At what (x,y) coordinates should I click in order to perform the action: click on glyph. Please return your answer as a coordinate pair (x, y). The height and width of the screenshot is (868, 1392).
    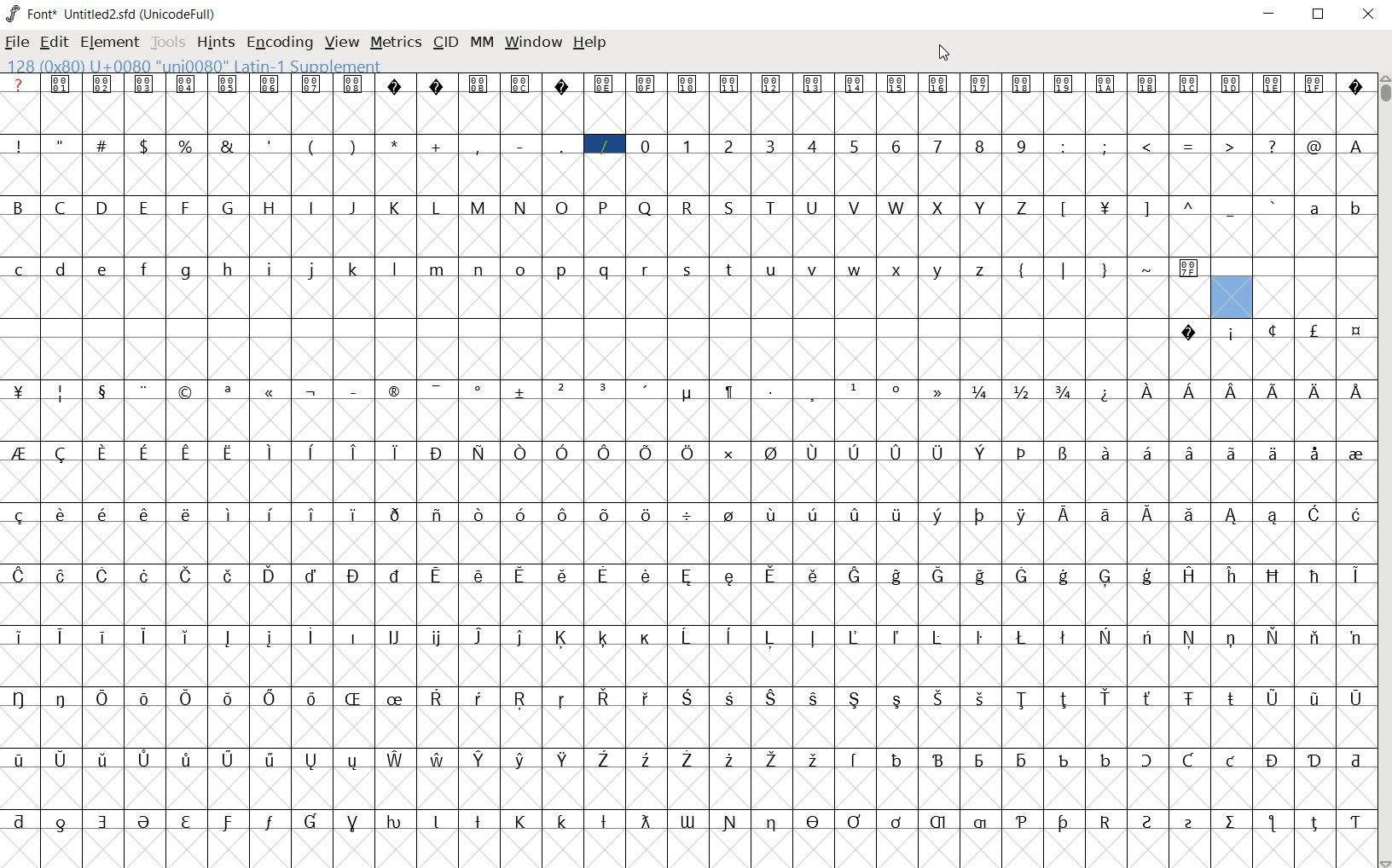
    Looking at the image, I should click on (728, 636).